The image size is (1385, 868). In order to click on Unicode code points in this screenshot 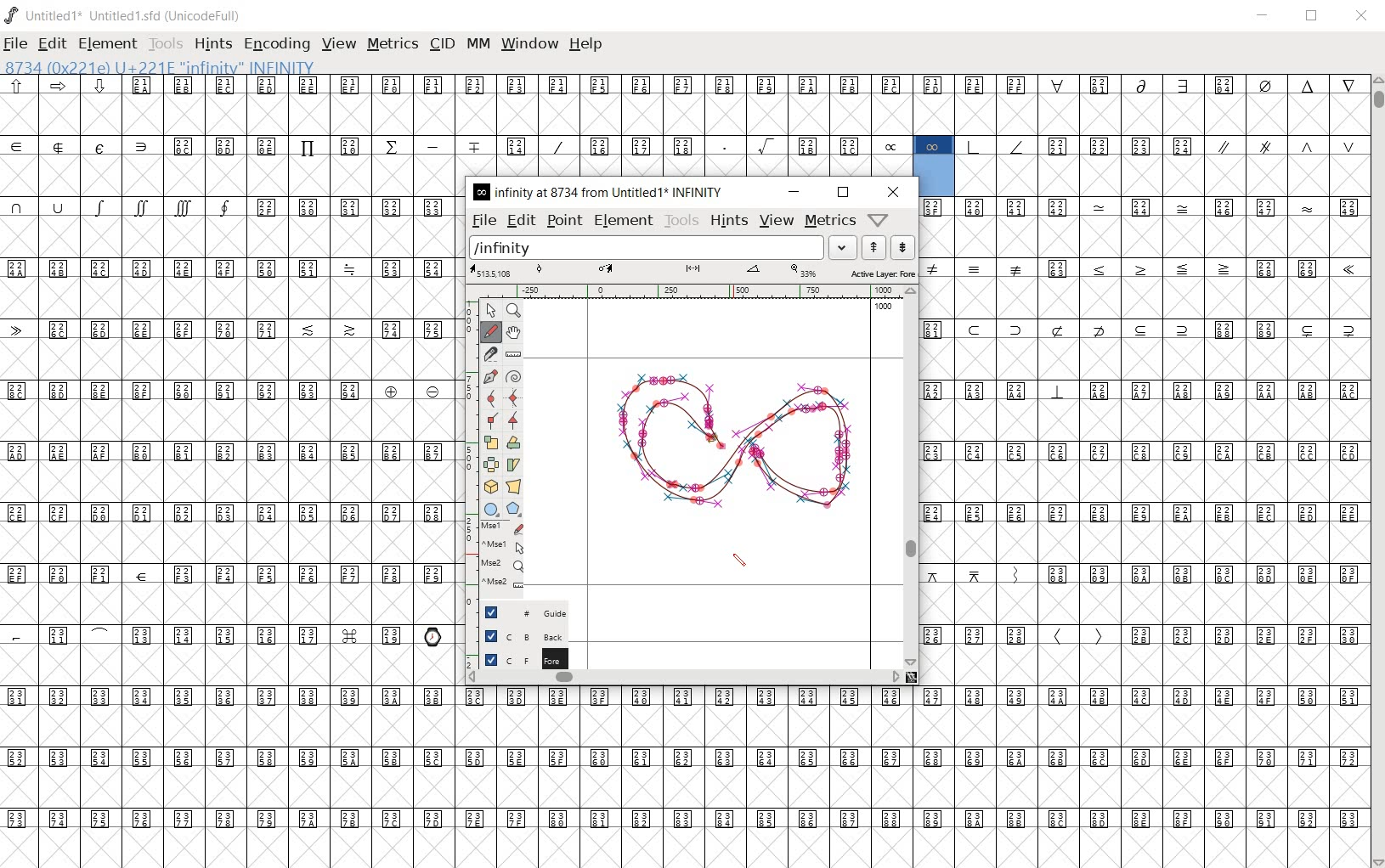, I will do `click(940, 329)`.